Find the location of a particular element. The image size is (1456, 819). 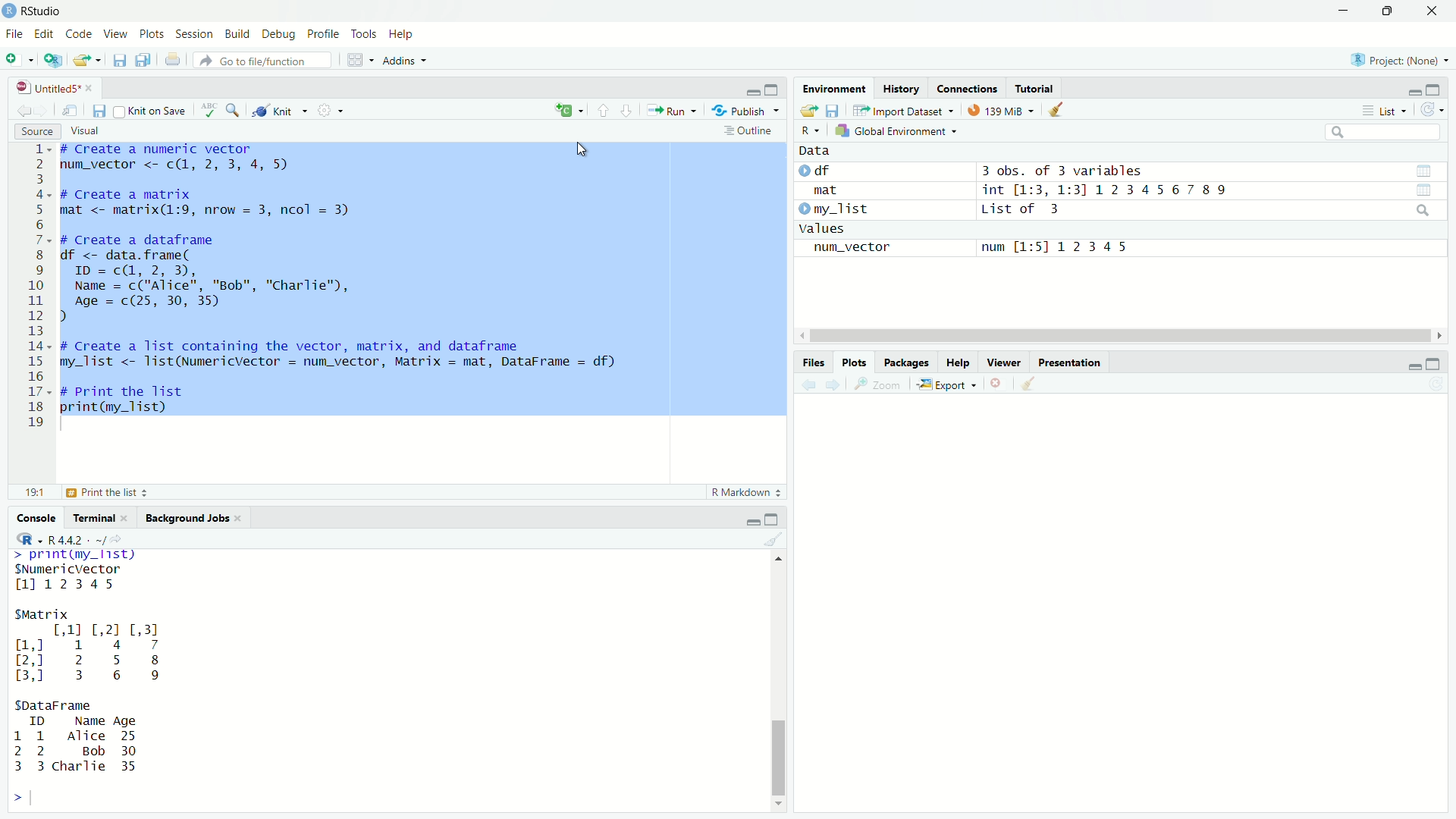

minimise is located at coordinates (1412, 91).